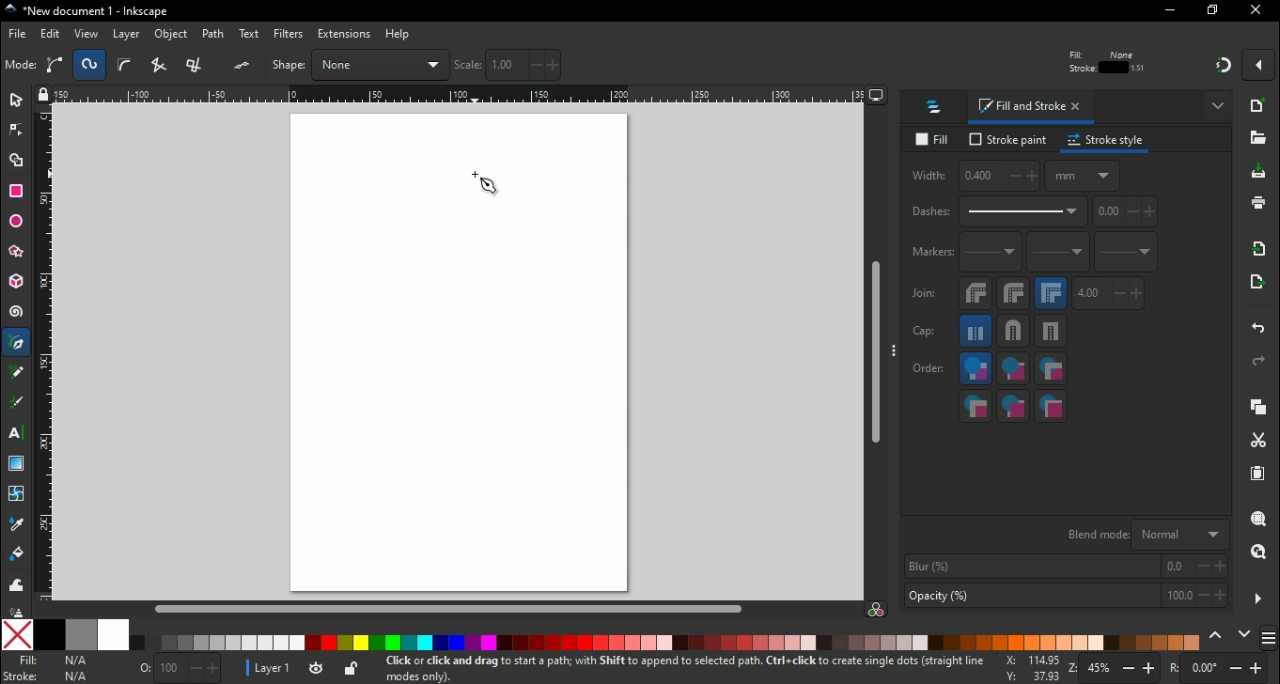 Image resolution: width=1280 pixels, height=684 pixels. I want to click on open file dialogue, so click(1259, 143).